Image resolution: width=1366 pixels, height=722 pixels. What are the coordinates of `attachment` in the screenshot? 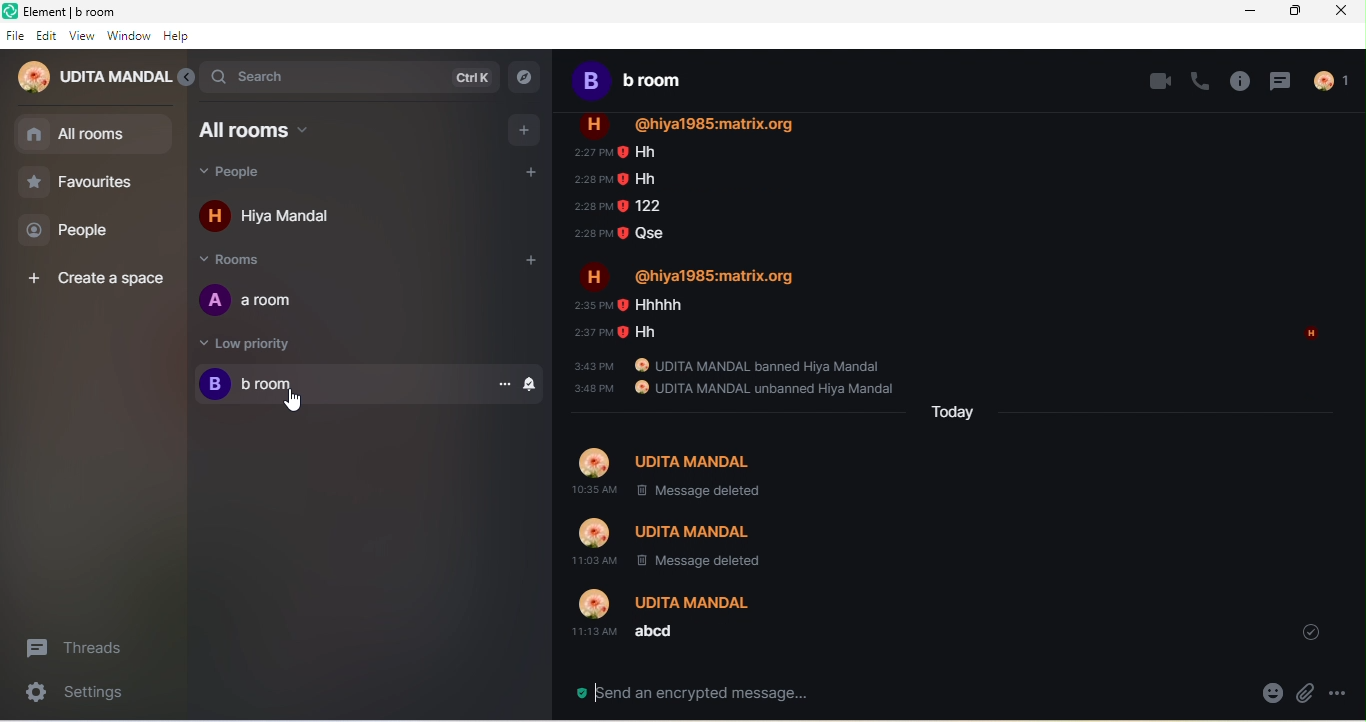 It's located at (1307, 696).